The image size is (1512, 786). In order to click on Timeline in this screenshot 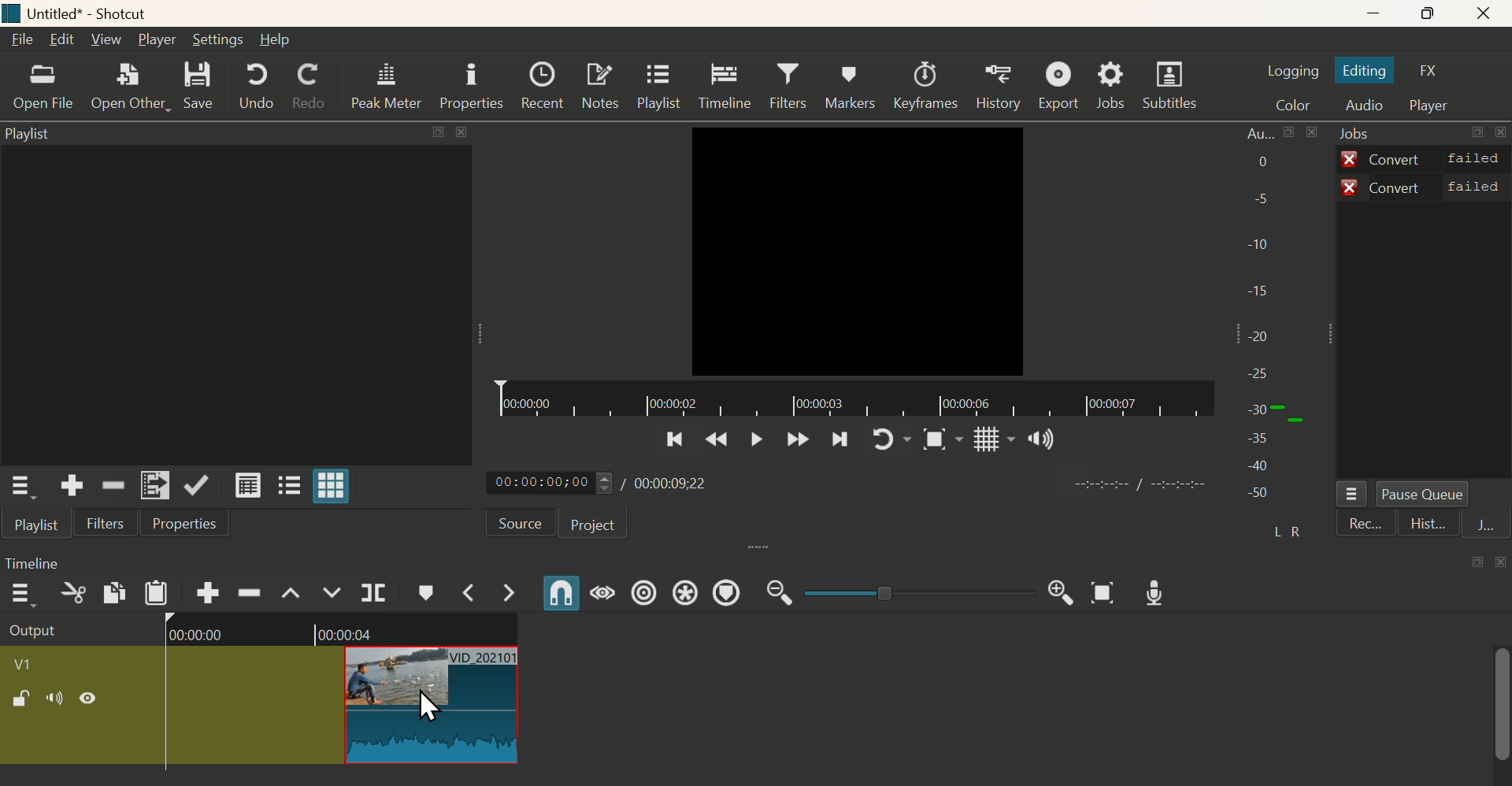, I will do `click(38, 563)`.